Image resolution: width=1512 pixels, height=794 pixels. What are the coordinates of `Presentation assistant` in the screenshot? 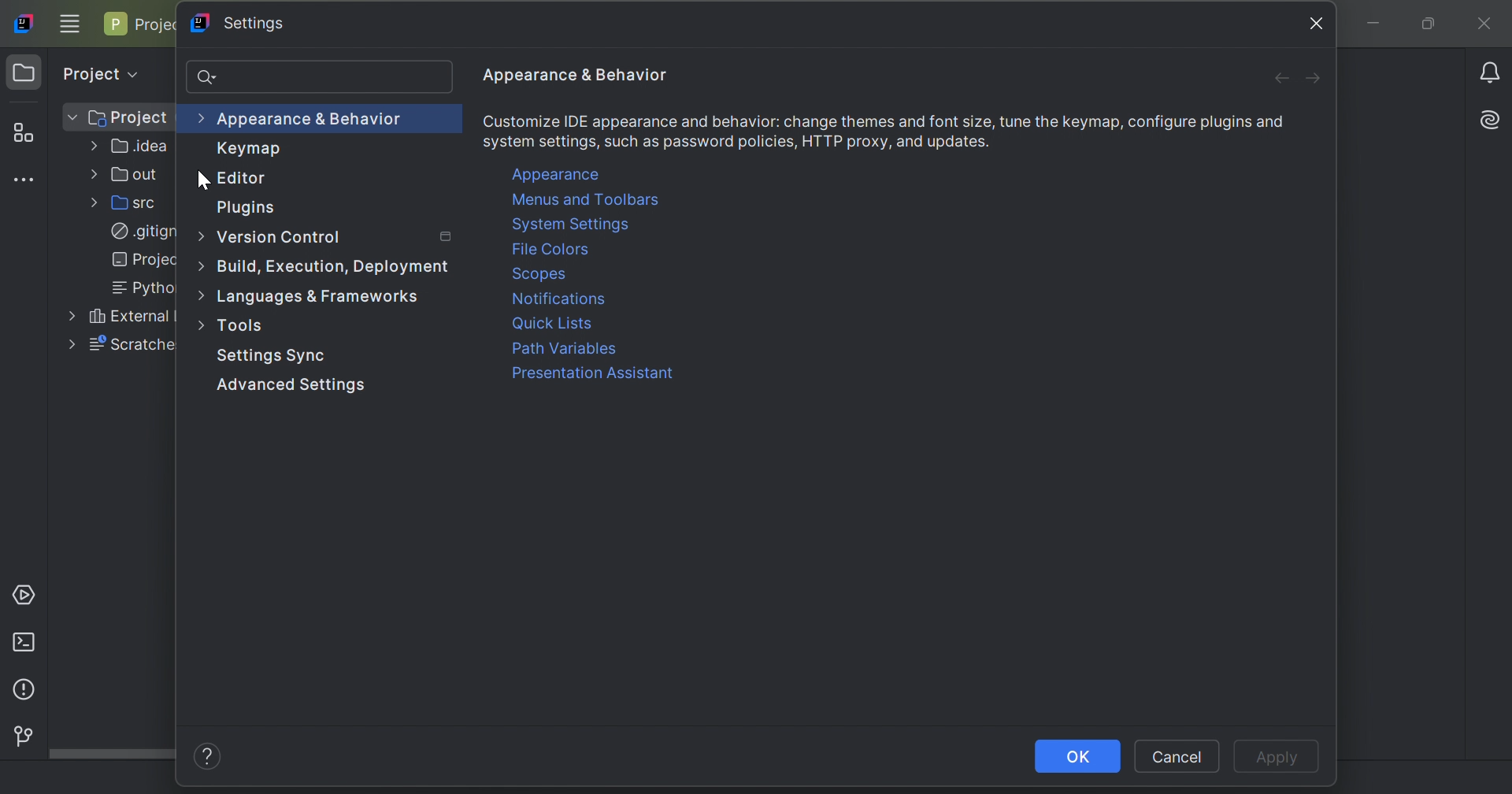 It's located at (591, 376).